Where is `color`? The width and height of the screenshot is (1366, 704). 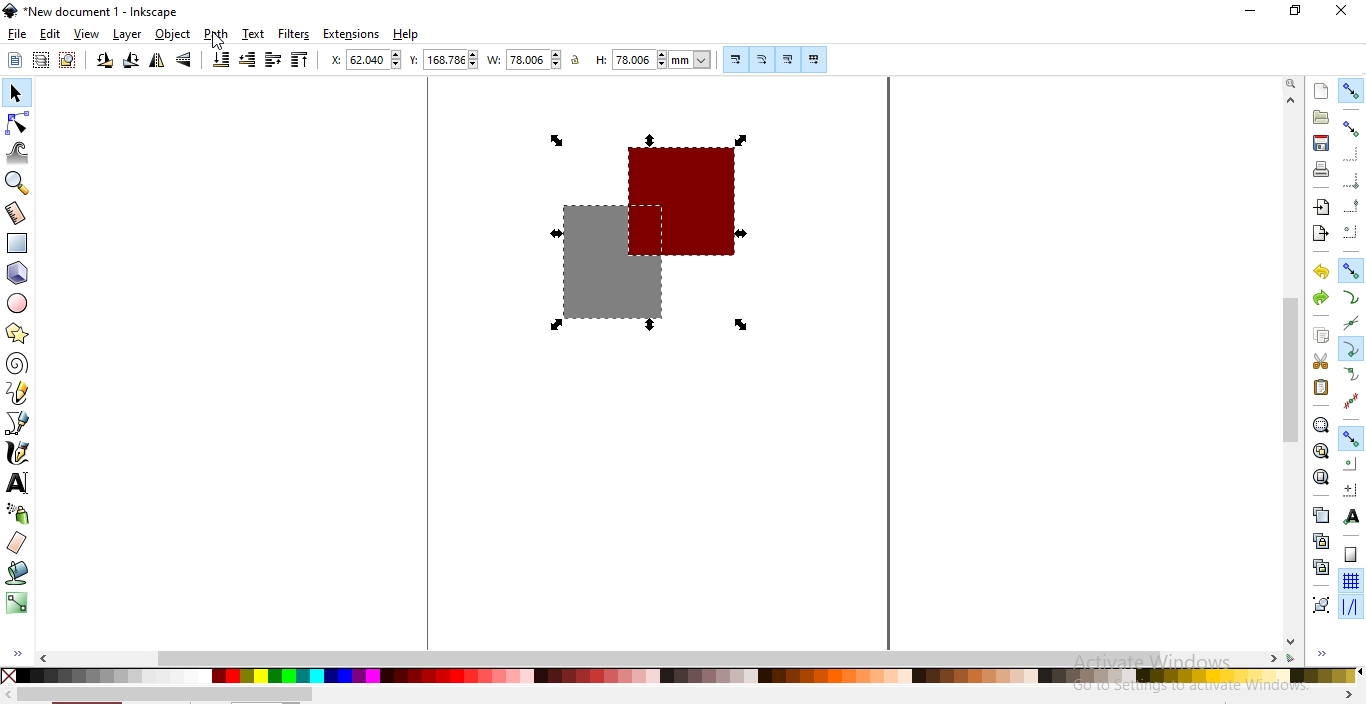 color is located at coordinates (679, 675).